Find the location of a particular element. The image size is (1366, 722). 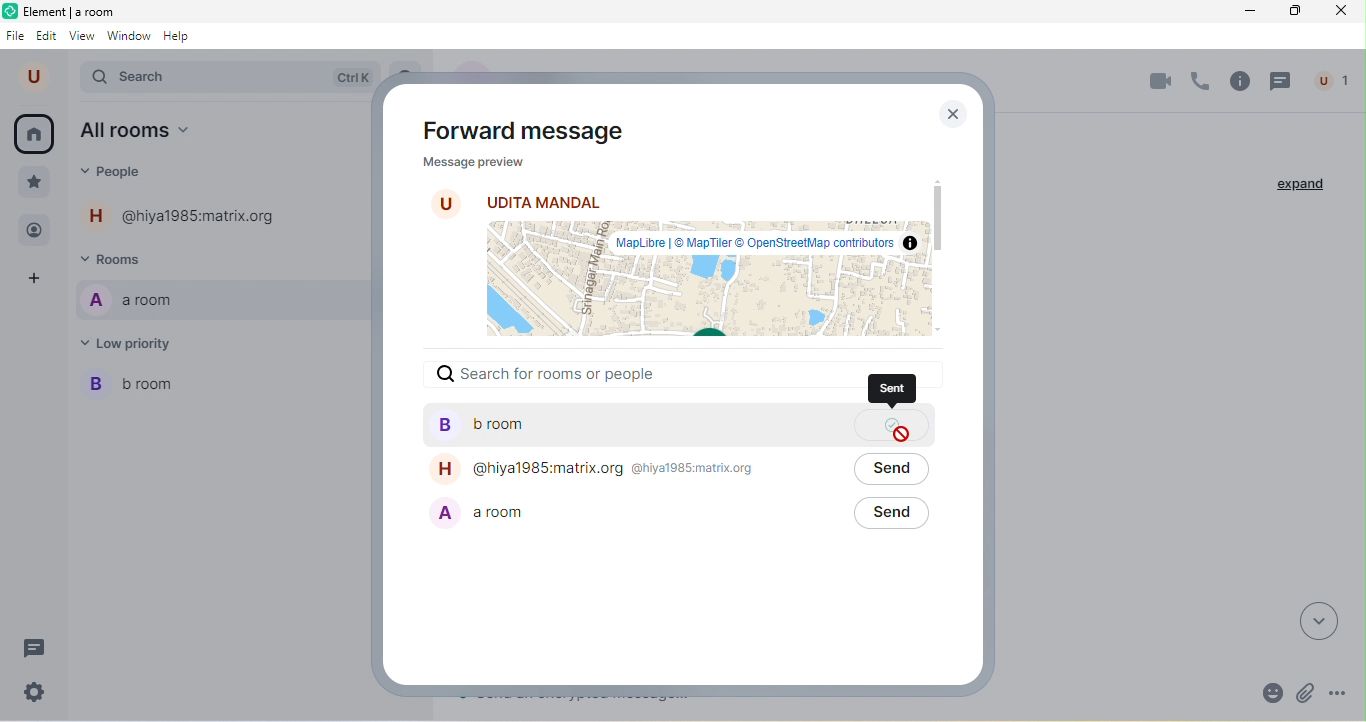

scroll up is located at coordinates (935, 179).